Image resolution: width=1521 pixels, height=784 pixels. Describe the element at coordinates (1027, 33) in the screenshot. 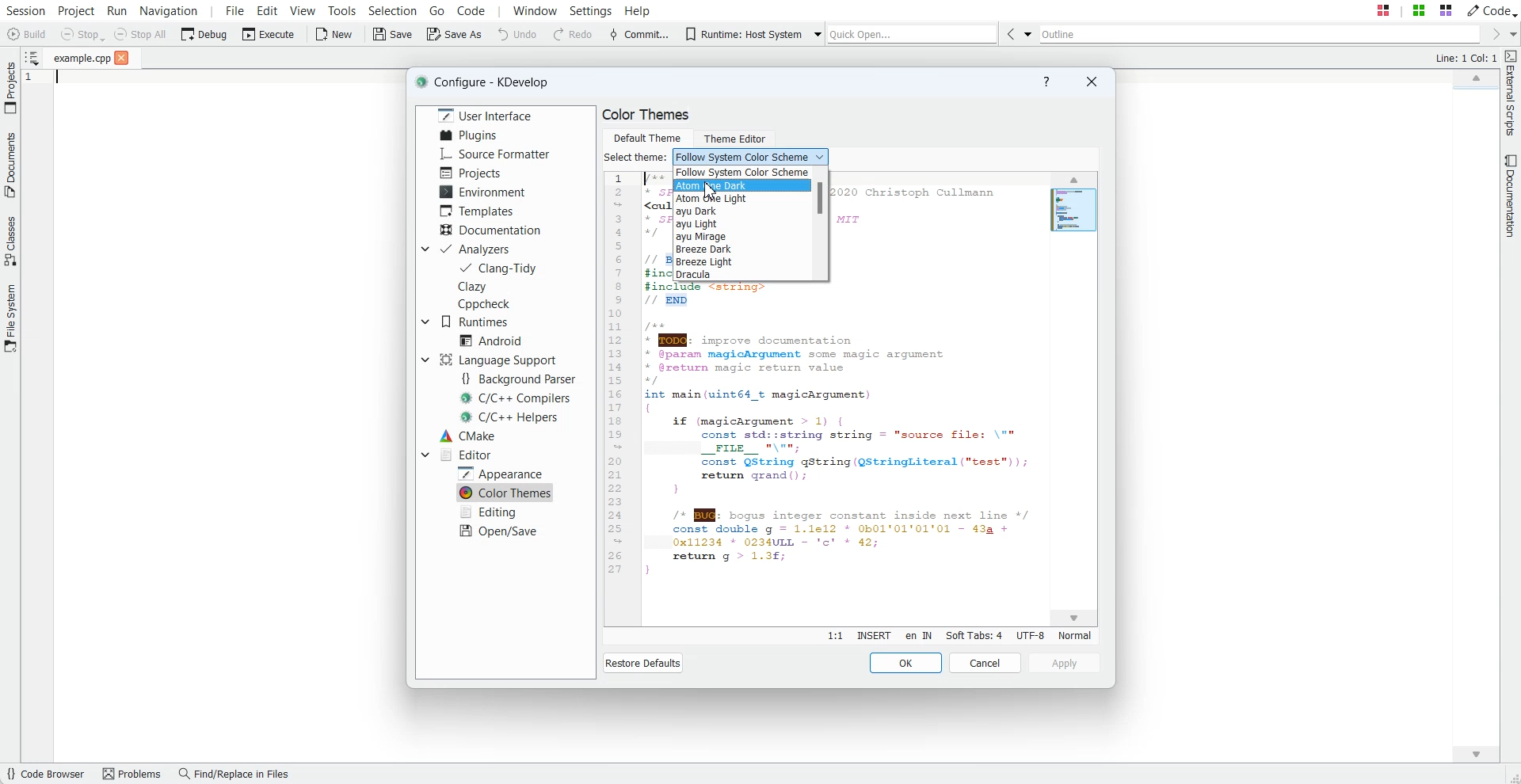

I see `Drop down box` at that location.